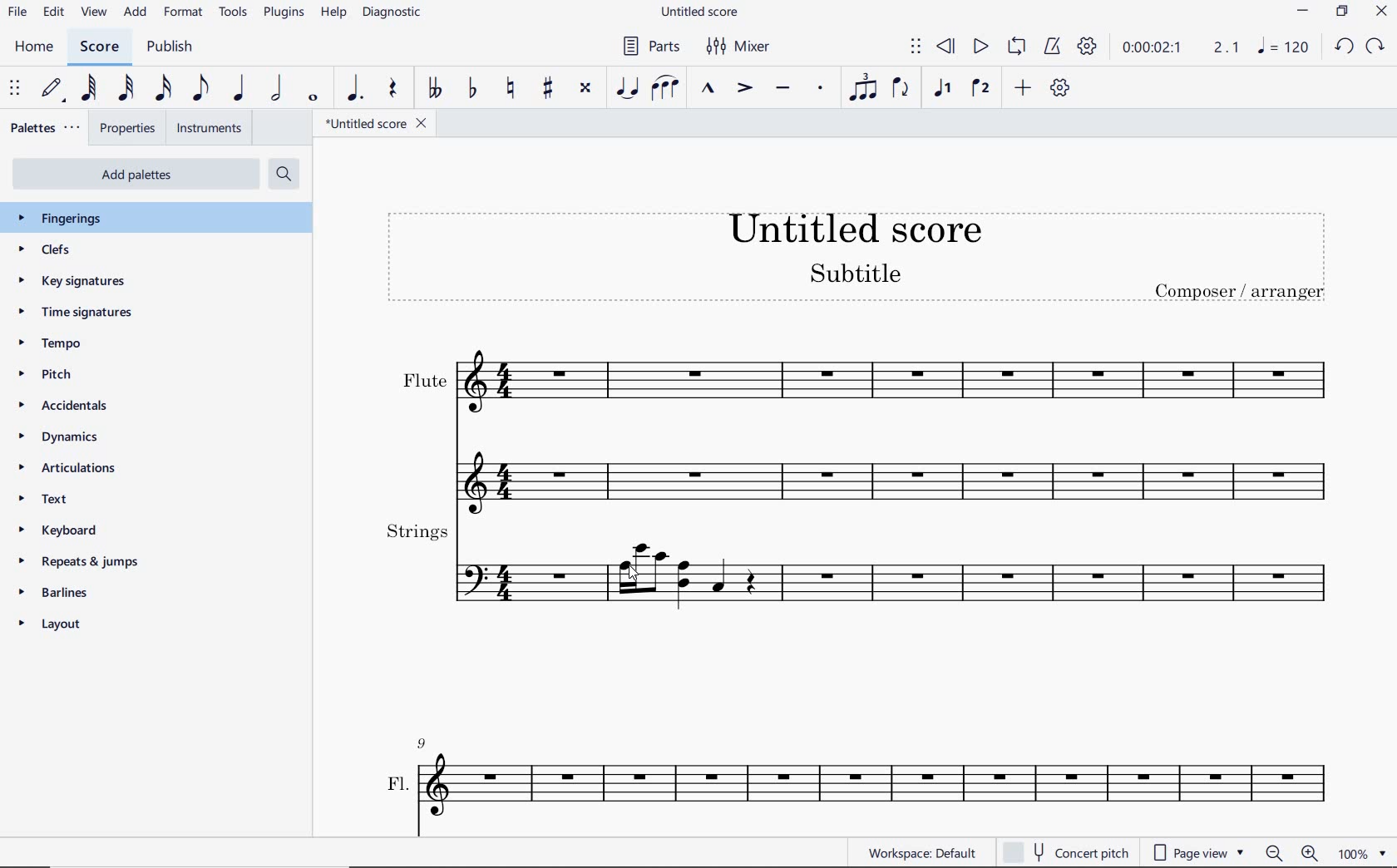 This screenshot has height=868, width=1397. I want to click on time signatures, so click(80, 313).